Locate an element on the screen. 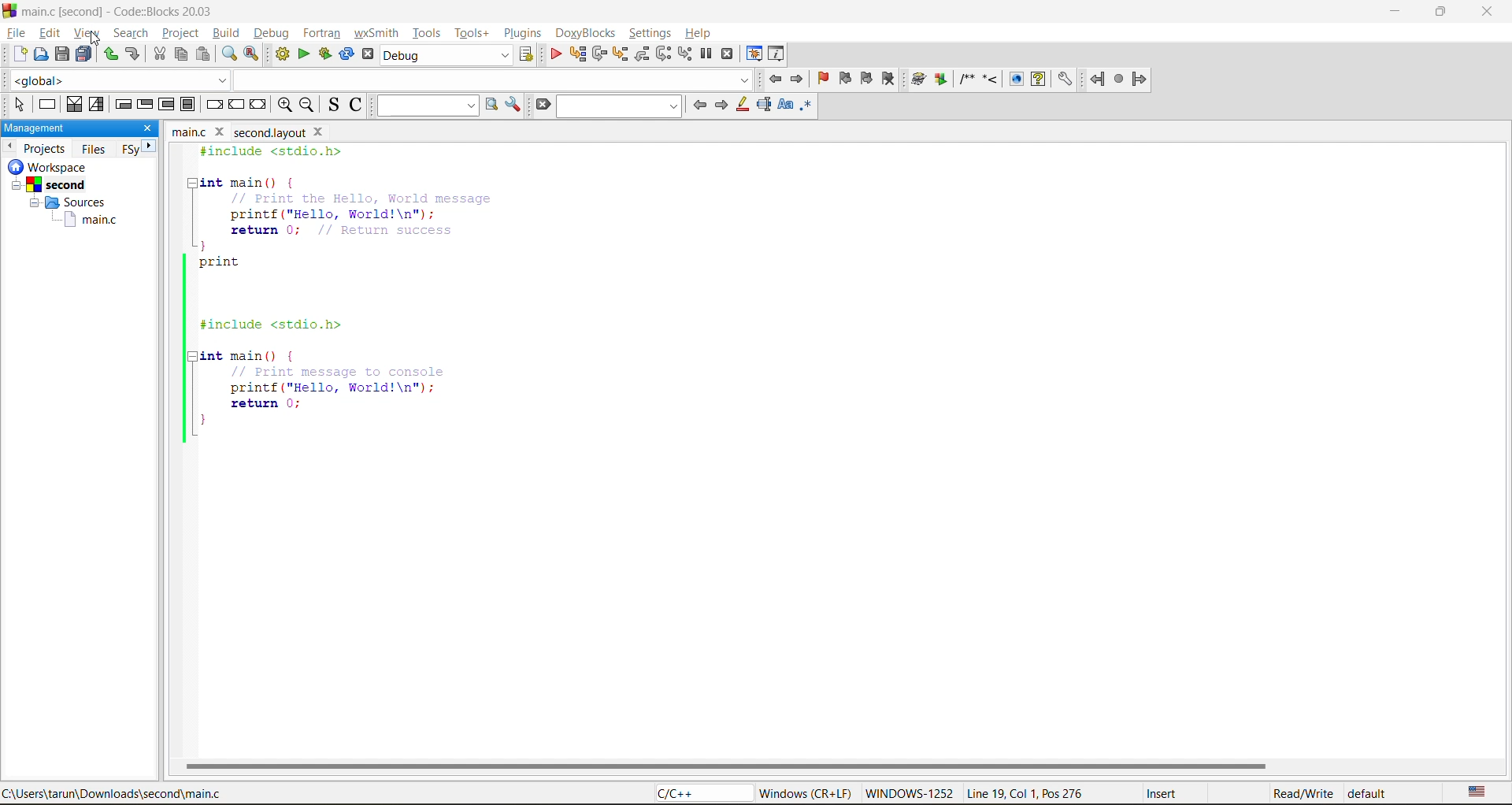 The width and height of the screenshot is (1512, 805). next instruction is located at coordinates (662, 54).